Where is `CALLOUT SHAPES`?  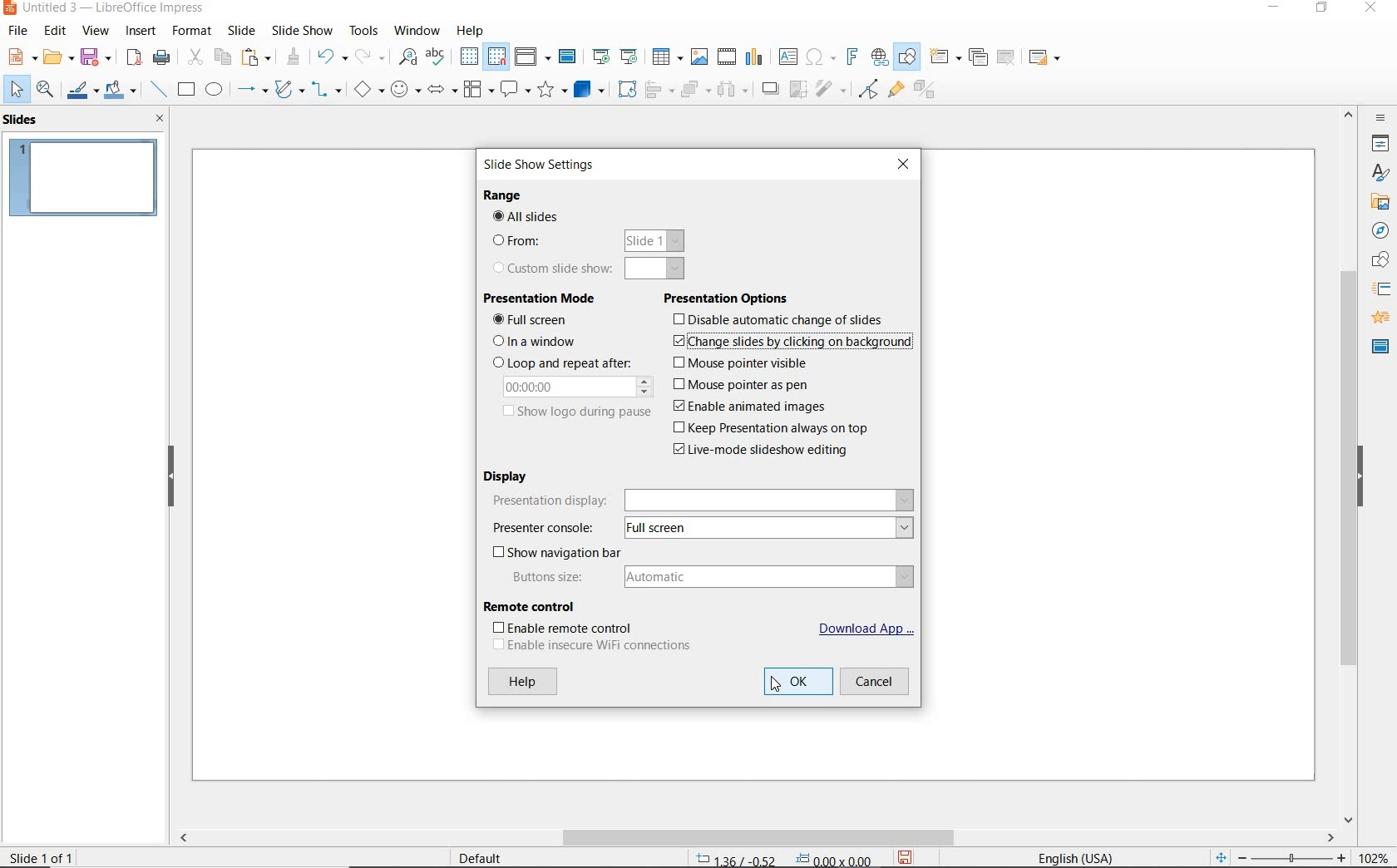
CALLOUT SHAPES is located at coordinates (513, 91).